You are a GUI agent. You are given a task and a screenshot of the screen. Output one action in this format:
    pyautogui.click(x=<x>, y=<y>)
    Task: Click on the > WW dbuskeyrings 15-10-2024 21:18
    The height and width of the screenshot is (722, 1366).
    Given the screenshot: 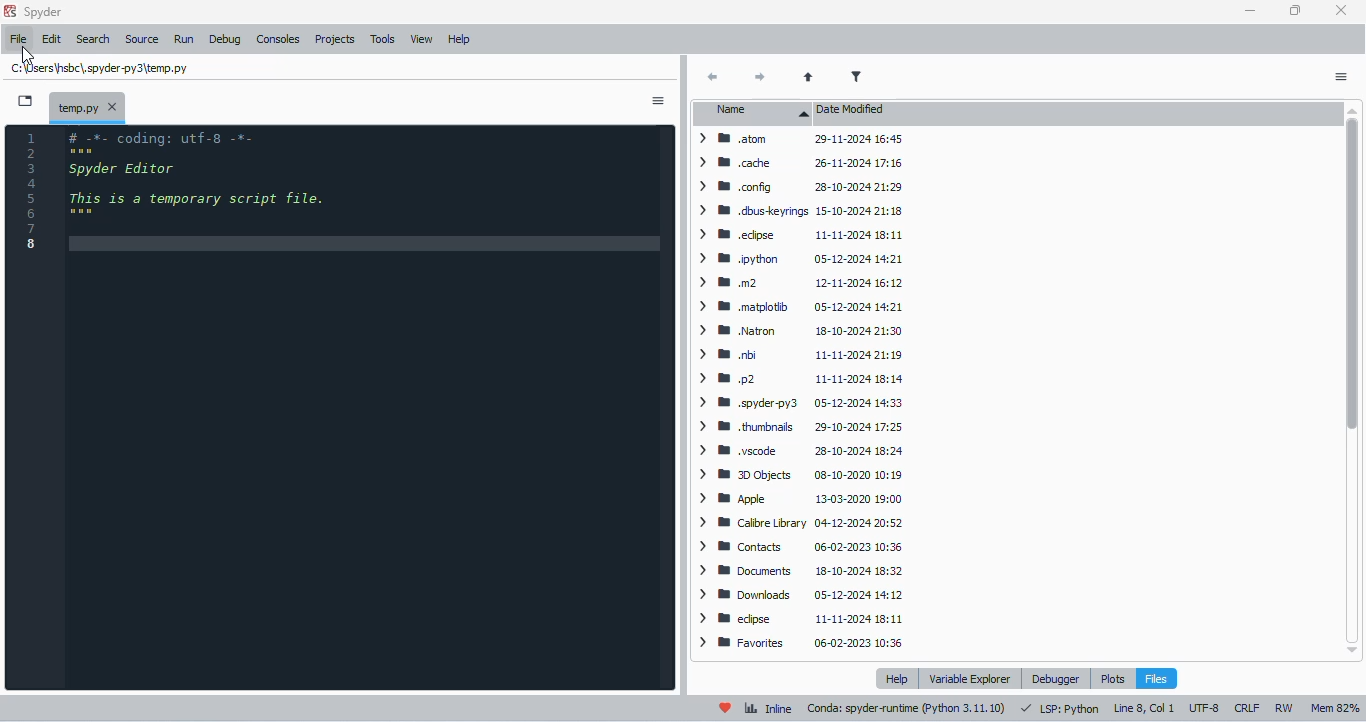 What is the action you would take?
    pyautogui.click(x=796, y=212)
    